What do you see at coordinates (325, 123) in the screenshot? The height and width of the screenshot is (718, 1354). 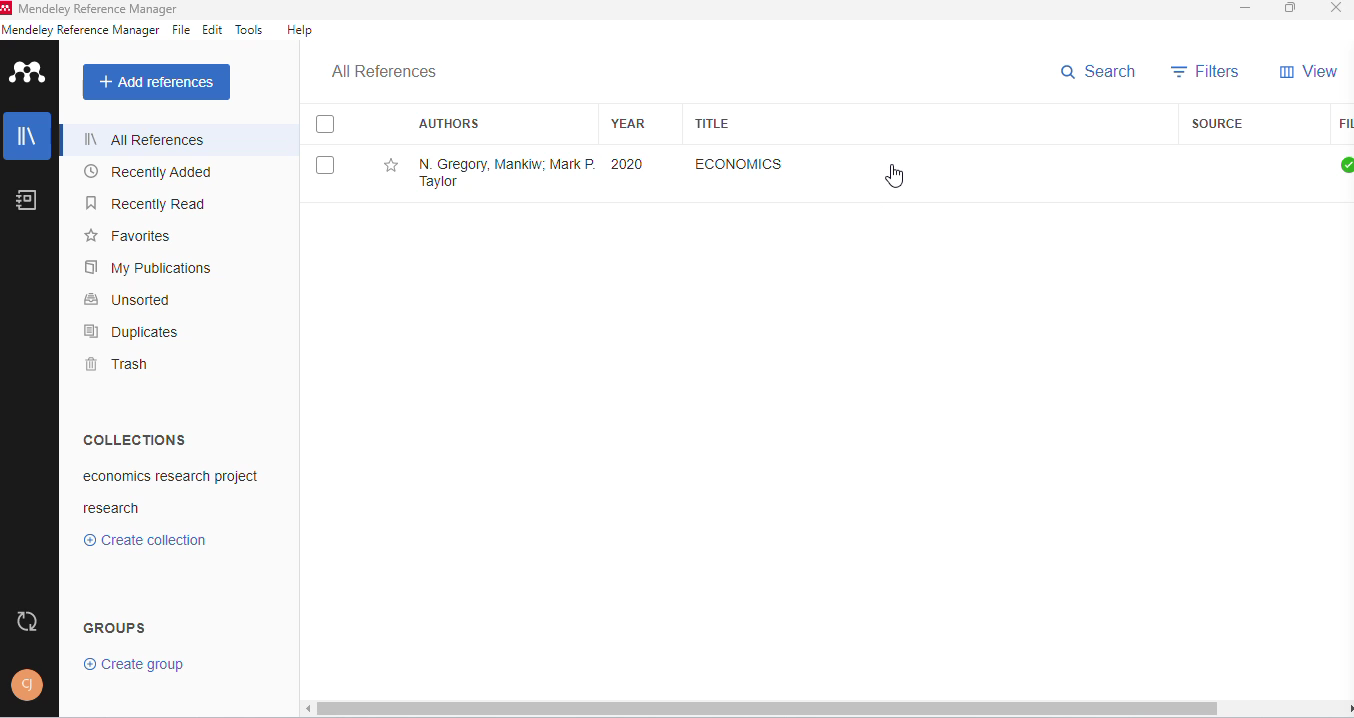 I see `select` at bounding box center [325, 123].